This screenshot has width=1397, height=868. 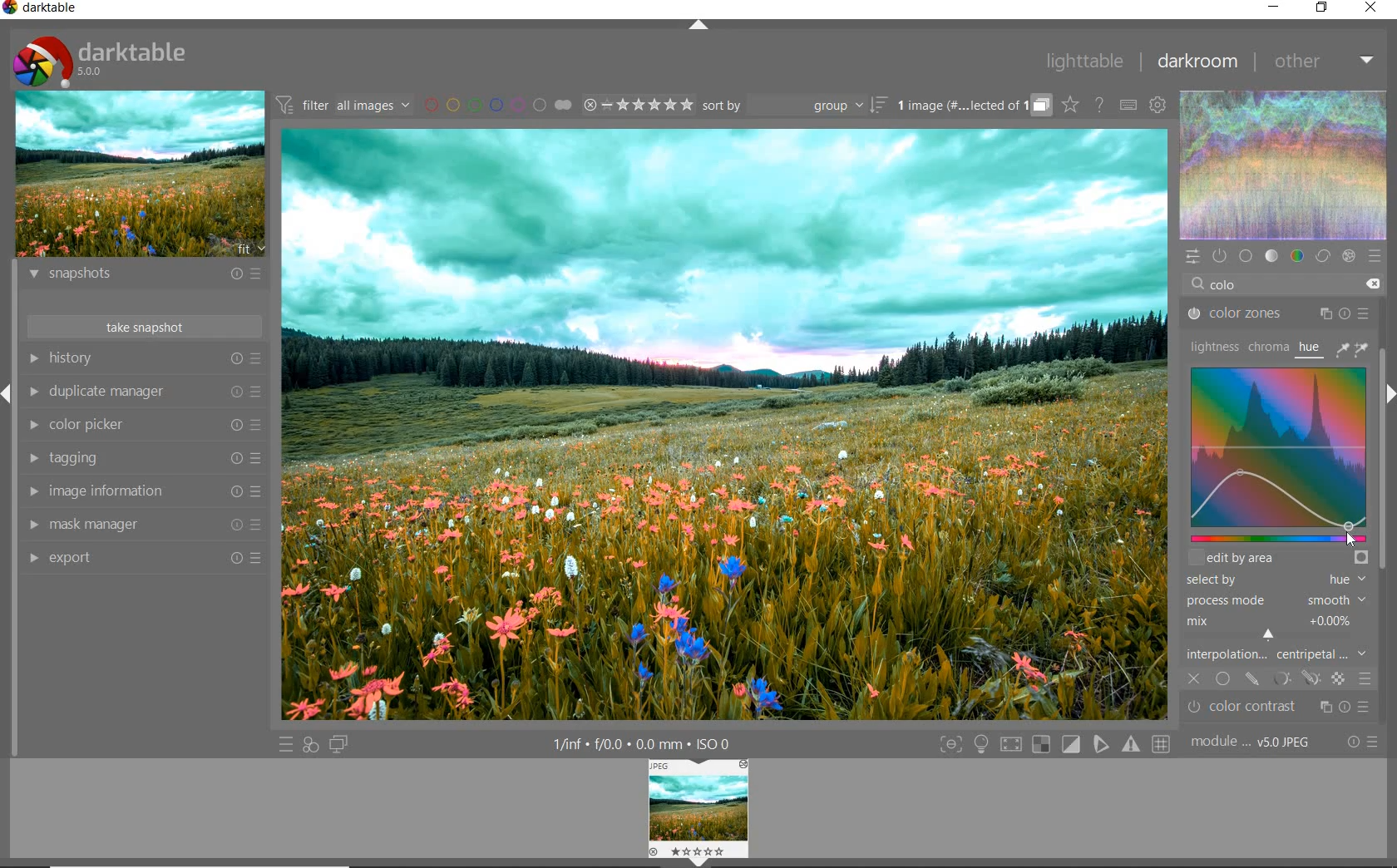 What do you see at coordinates (699, 811) in the screenshot?
I see `Image preview` at bounding box center [699, 811].